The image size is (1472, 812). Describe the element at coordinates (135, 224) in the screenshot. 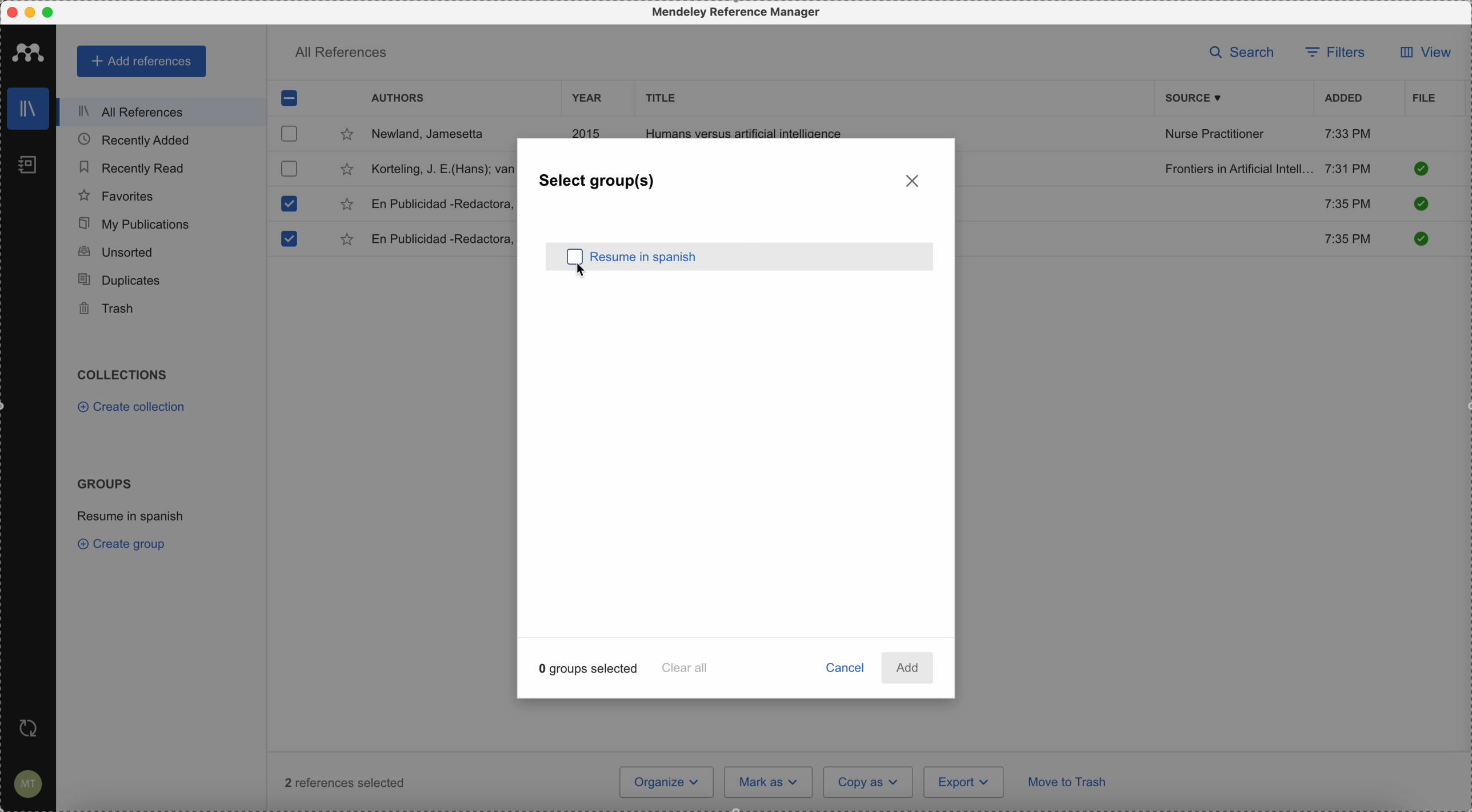

I see `my publications` at that location.